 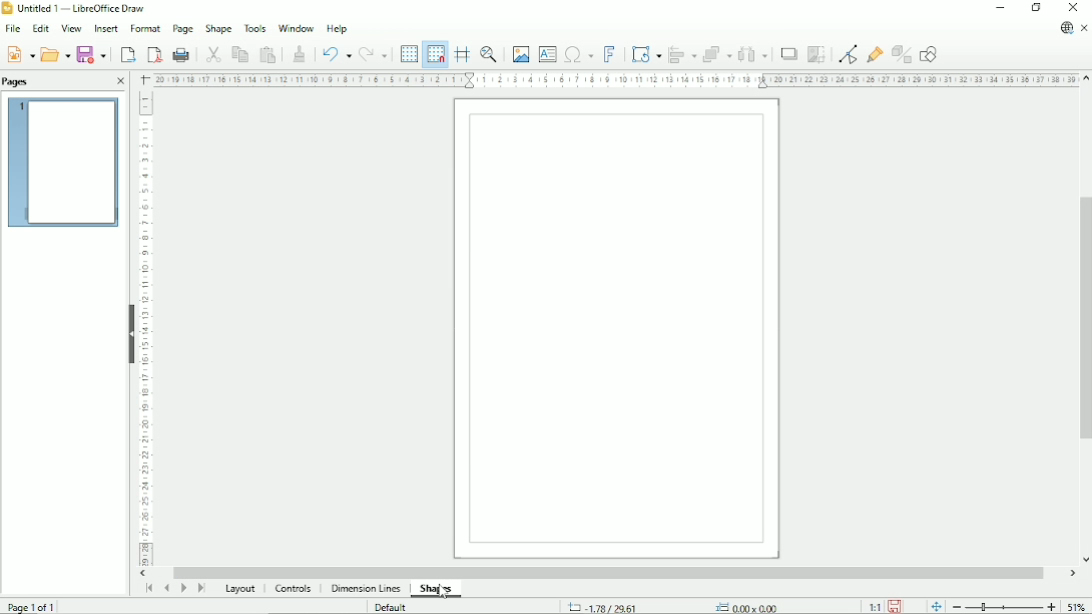 What do you see at coordinates (268, 54) in the screenshot?
I see `Paste` at bounding box center [268, 54].